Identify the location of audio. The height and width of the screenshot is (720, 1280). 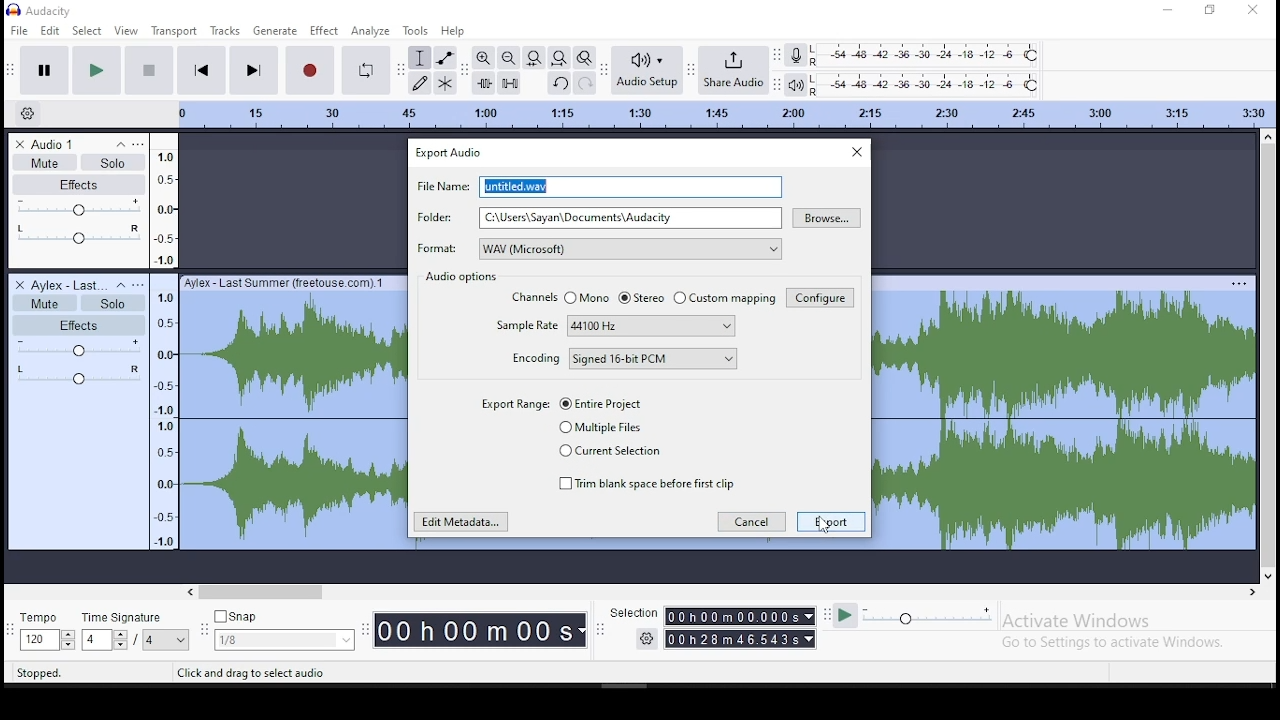
(295, 412).